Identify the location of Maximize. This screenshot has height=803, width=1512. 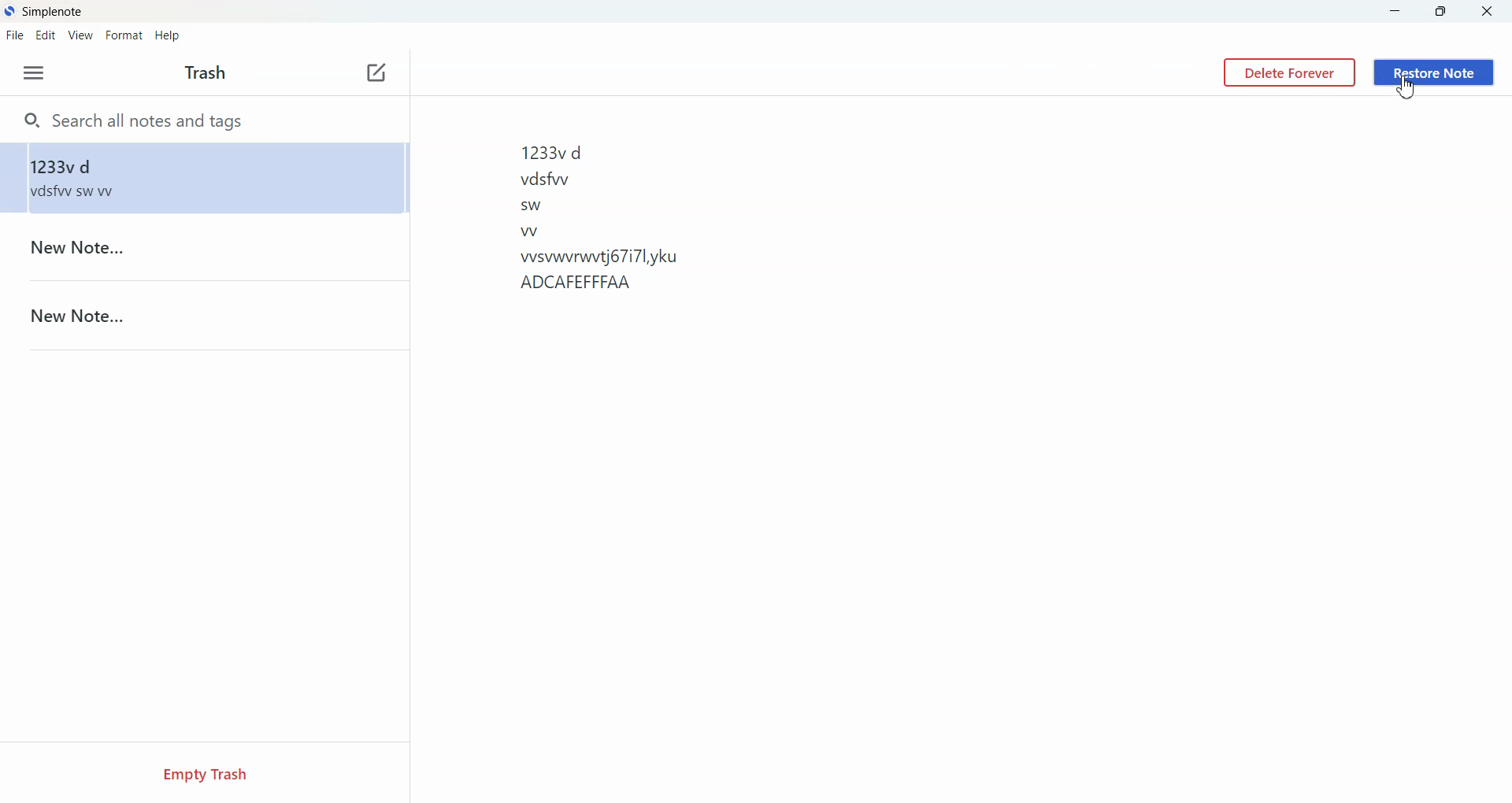
(1442, 12).